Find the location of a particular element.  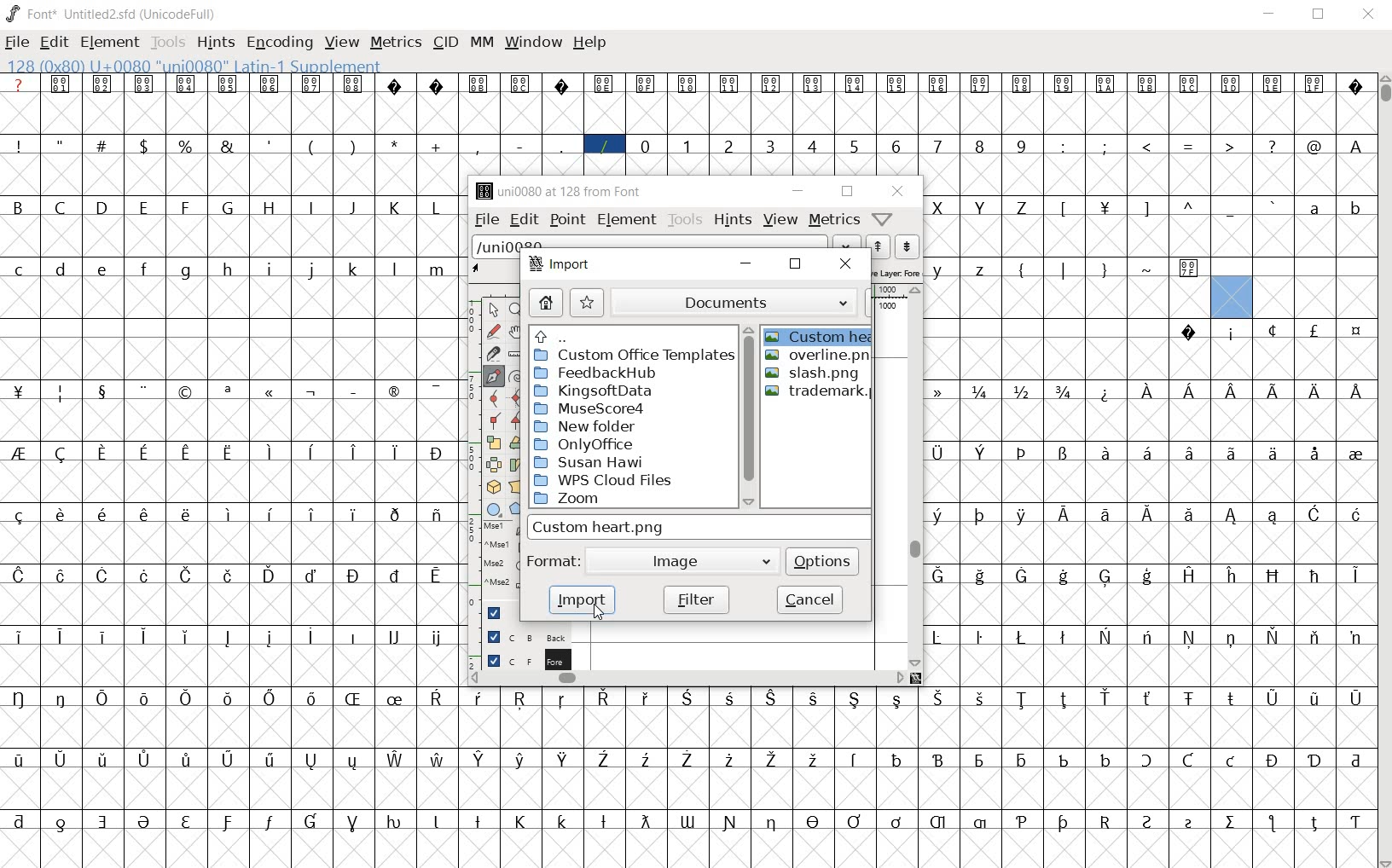

Help/Window is located at coordinates (884, 217).